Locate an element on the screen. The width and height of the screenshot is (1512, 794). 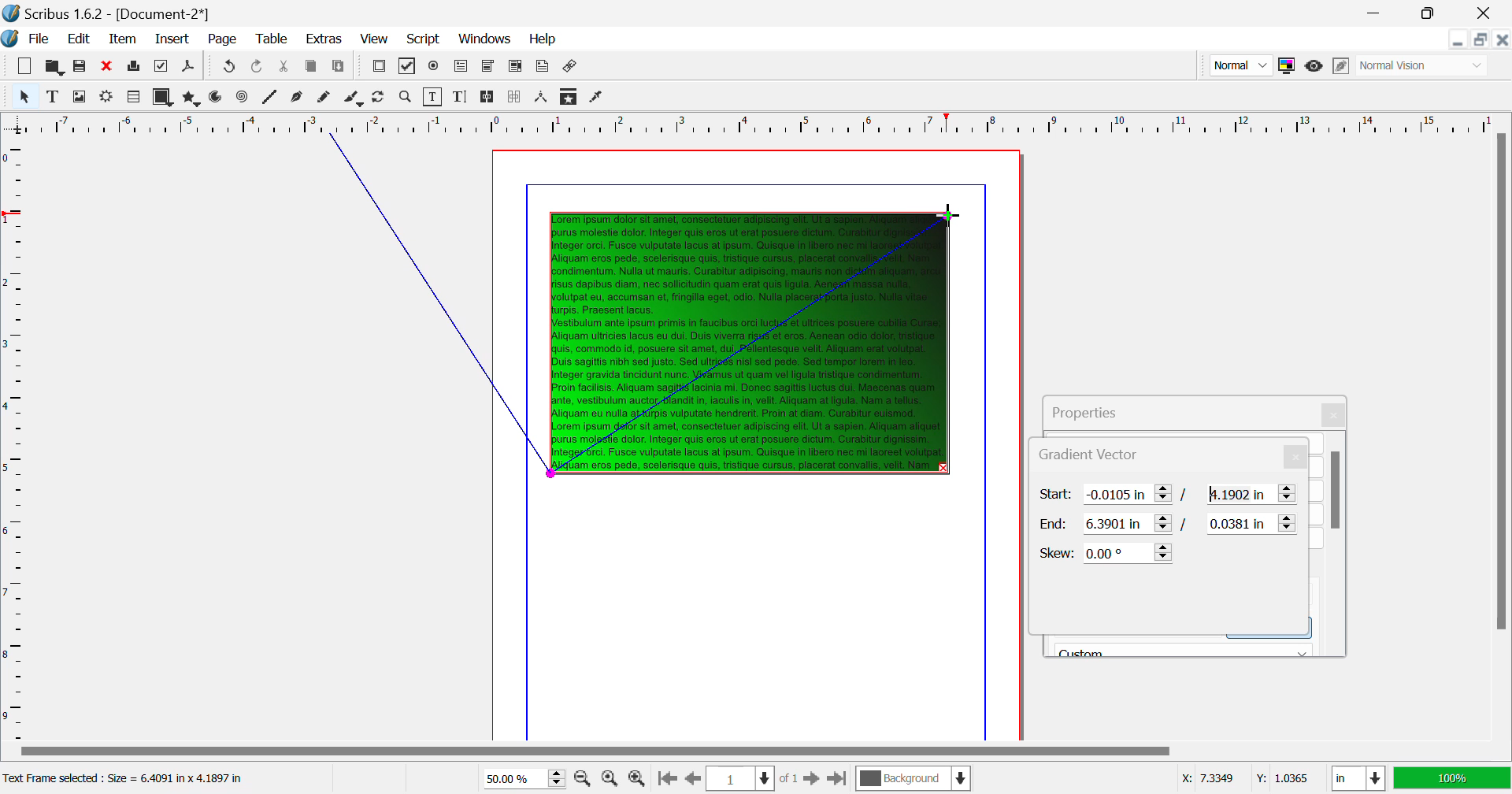
Preview Mode is located at coordinates (1314, 68).